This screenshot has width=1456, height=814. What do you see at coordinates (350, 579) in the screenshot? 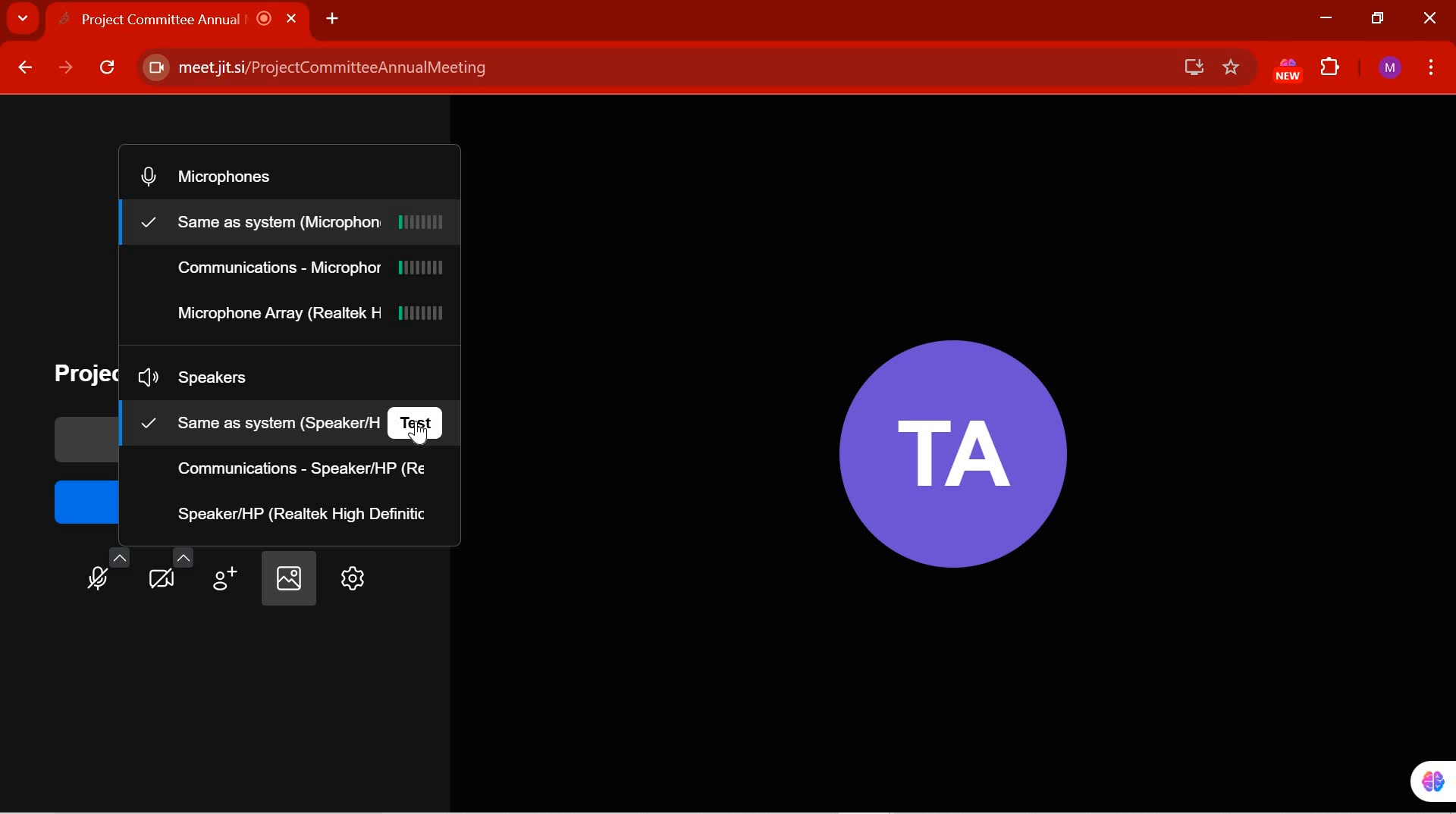
I see `settings` at bounding box center [350, 579].